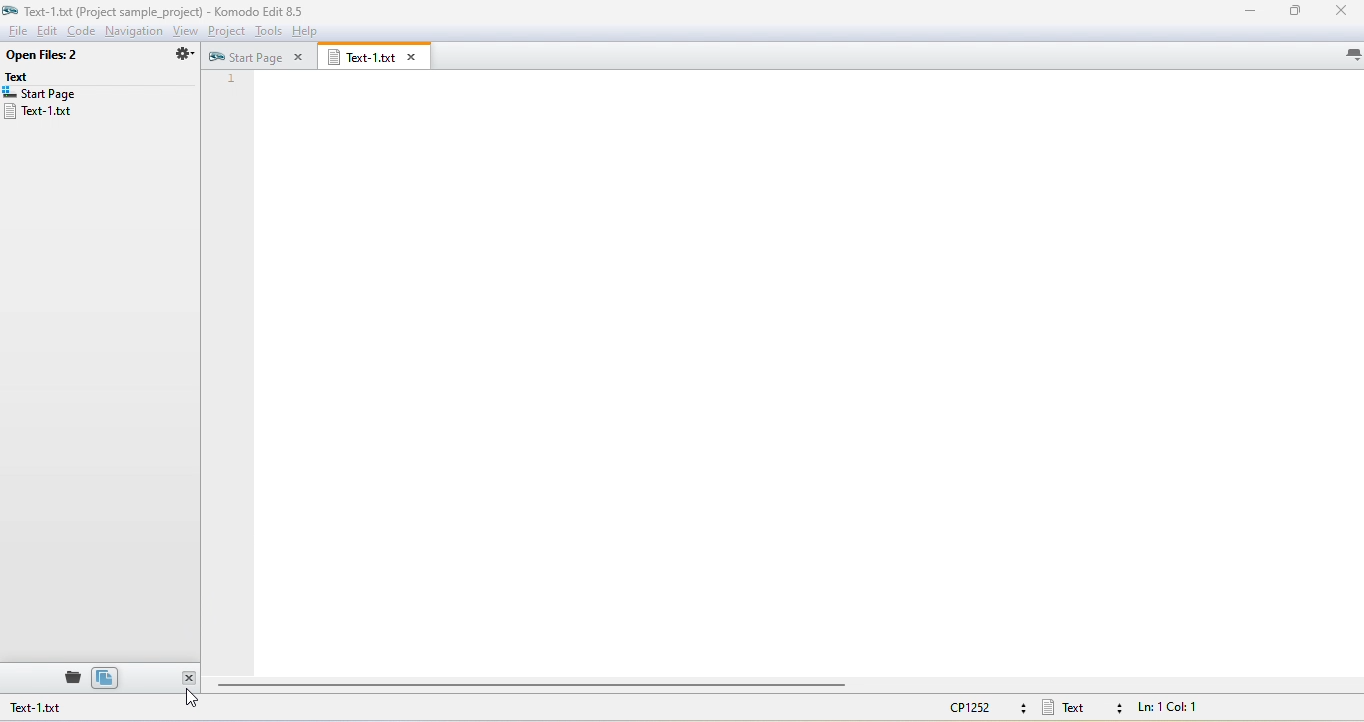 This screenshot has height=722, width=1364. I want to click on close tab, so click(298, 56).